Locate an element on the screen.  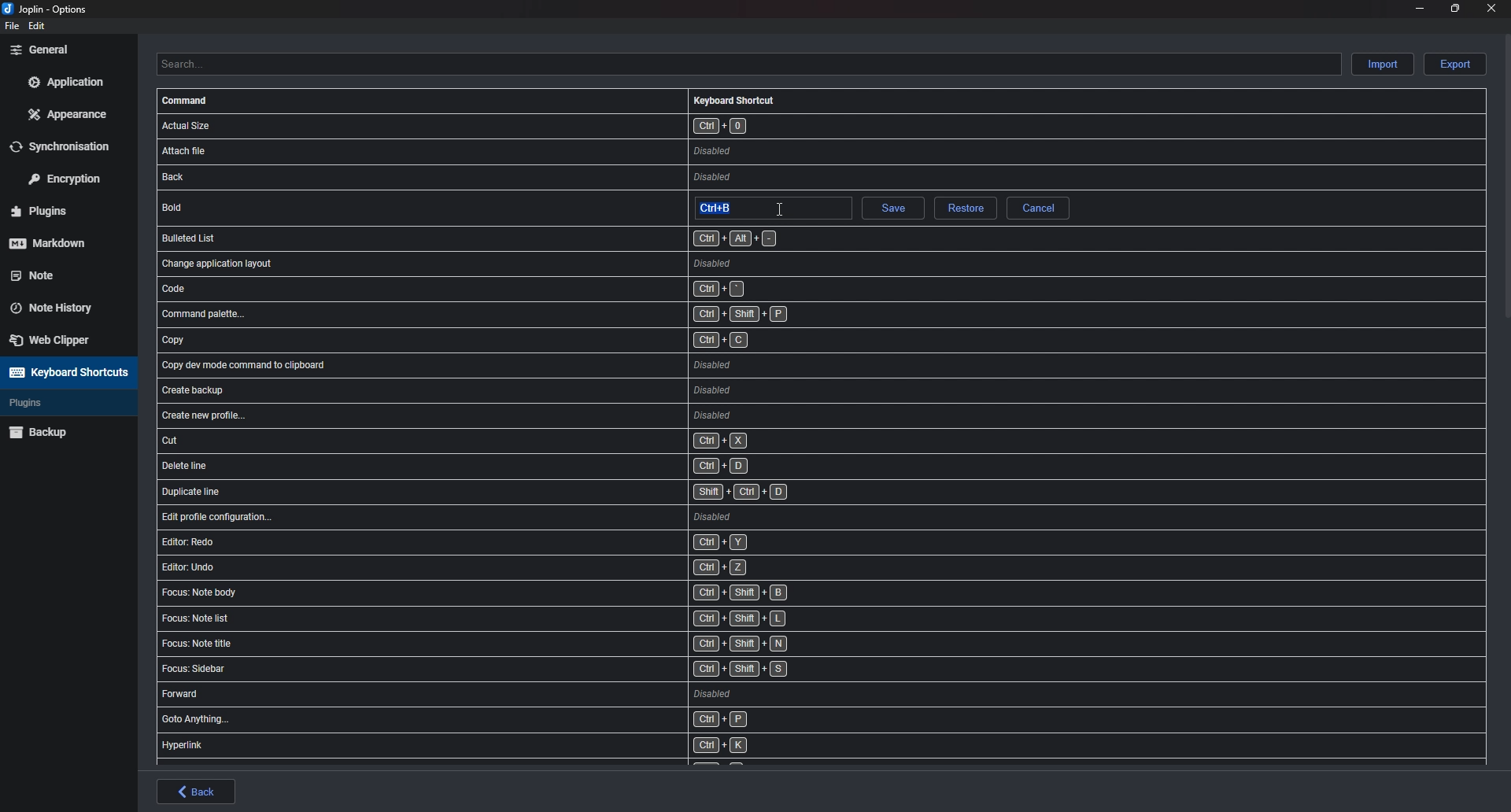
shortcut is located at coordinates (521, 721).